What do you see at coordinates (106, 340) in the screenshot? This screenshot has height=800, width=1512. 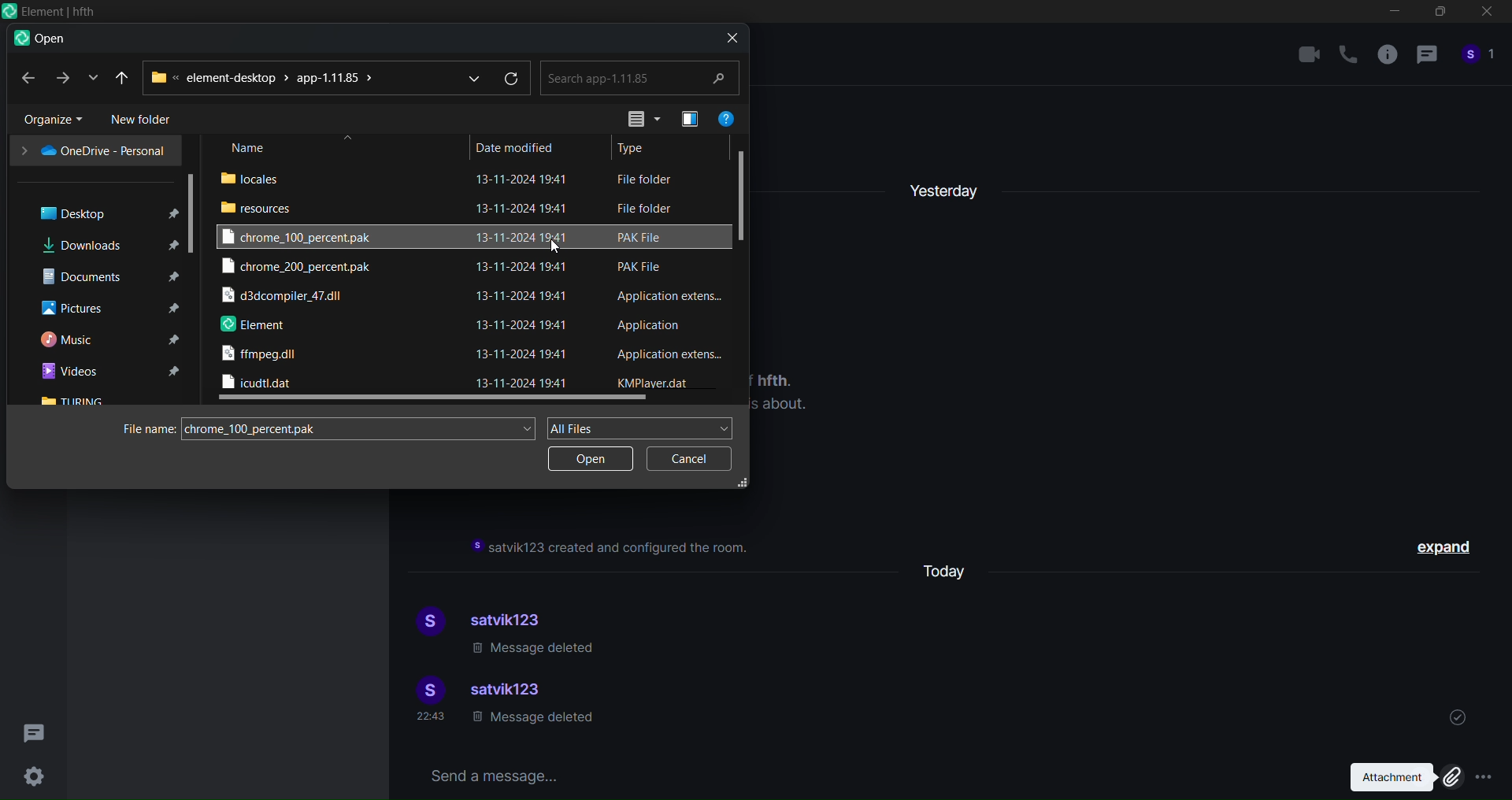 I see `music` at bounding box center [106, 340].